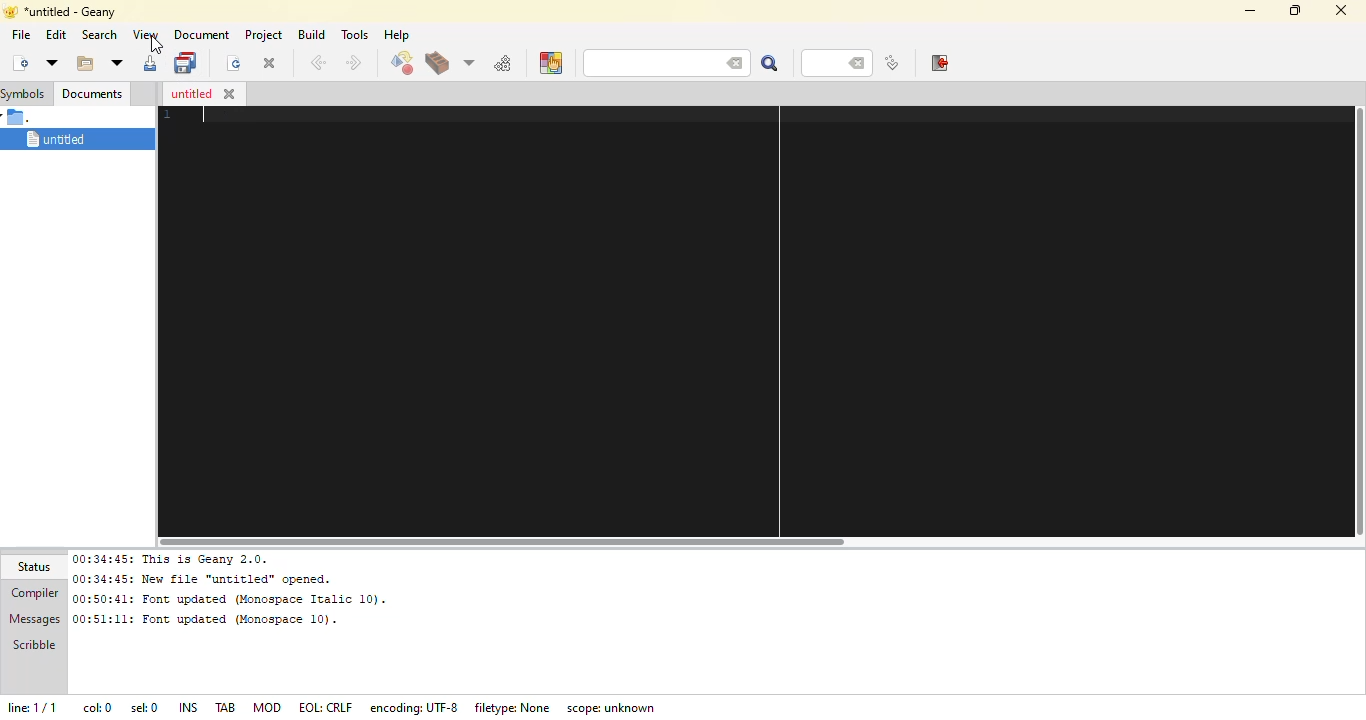 Image resolution: width=1366 pixels, height=720 pixels. What do you see at coordinates (228, 589) in the screenshot?
I see `00:34:45: This is Geany 2.0.00:34:45: New file “untitled” opened.00:50:41: Font updated (Monospace Italic 10). 00:51:11: Font updated (Monospace 10).` at bounding box center [228, 589].